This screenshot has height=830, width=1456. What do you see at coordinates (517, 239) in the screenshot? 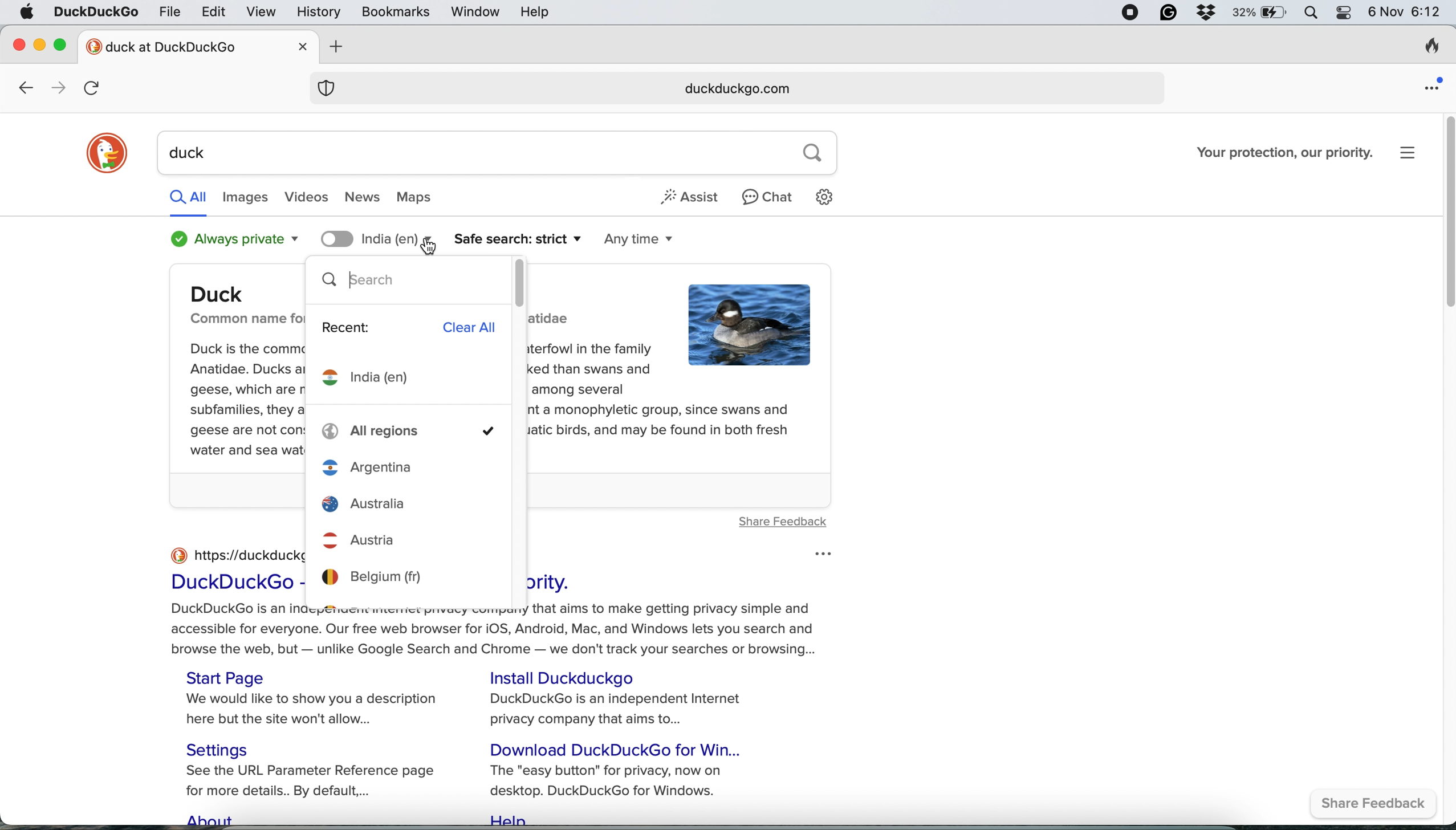
I see `safe search` at bounding box center [517, 239].